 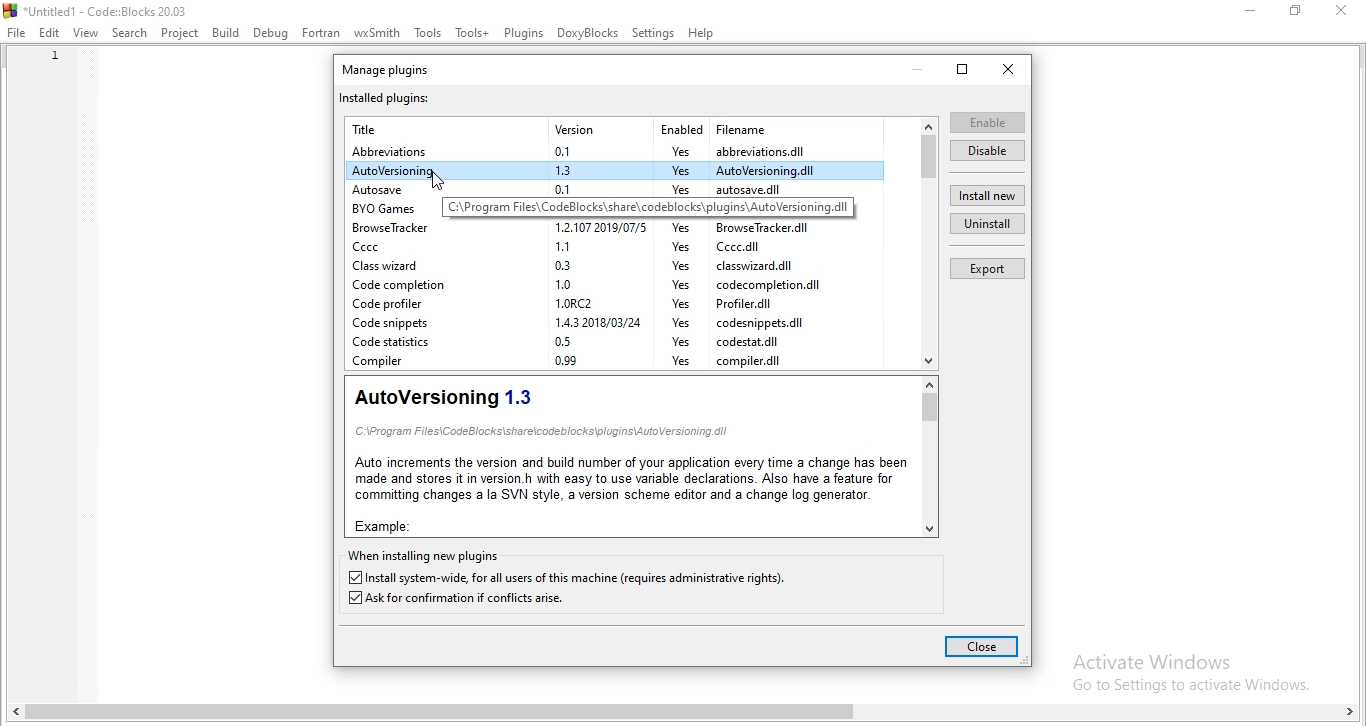 What do you see at coordinates (321, 34) in the screenshot?
I see `Fortran` at bounding box center [321, 34].